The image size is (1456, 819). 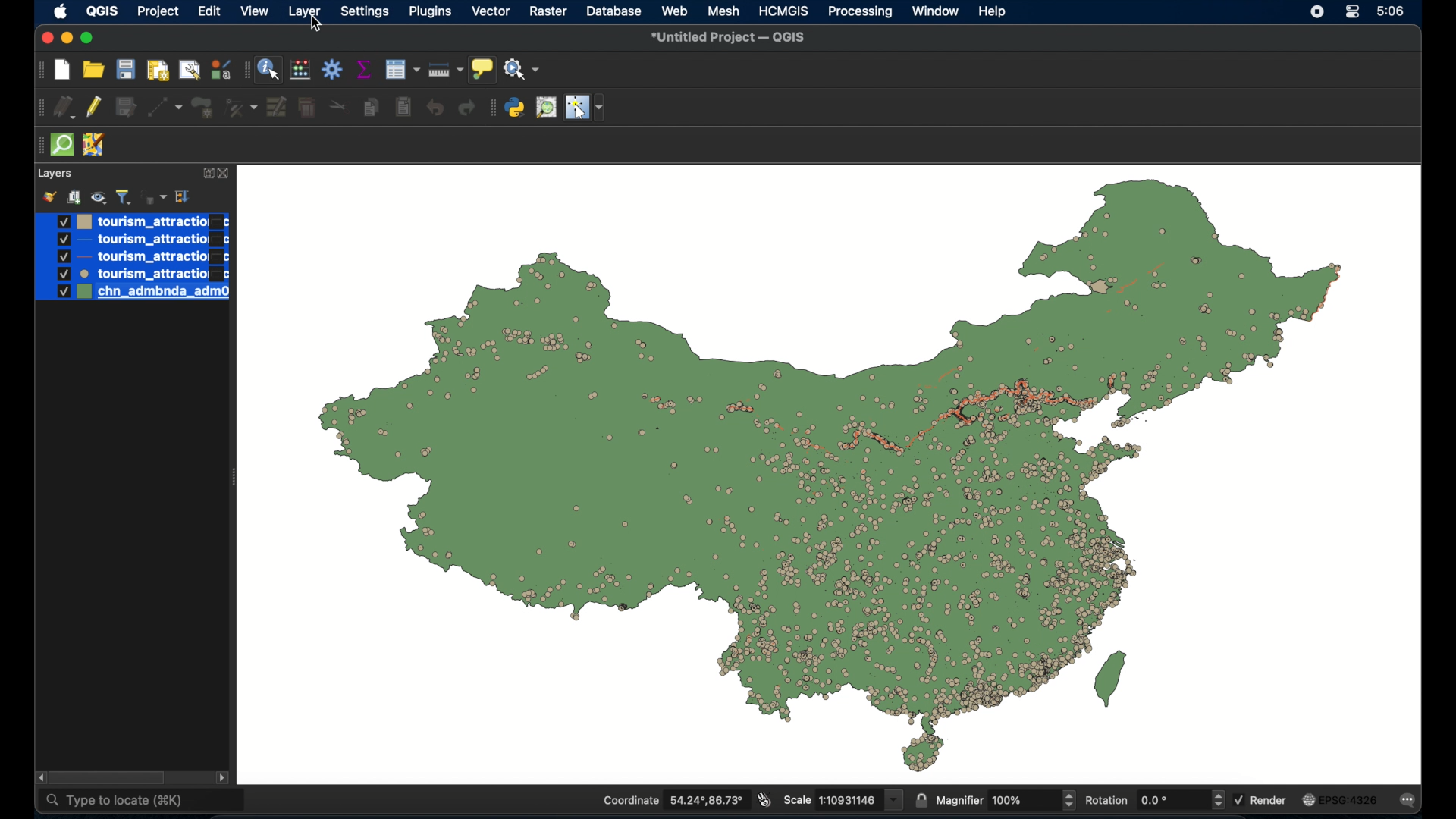 I want to click on python console, so click(x=515, y=108).